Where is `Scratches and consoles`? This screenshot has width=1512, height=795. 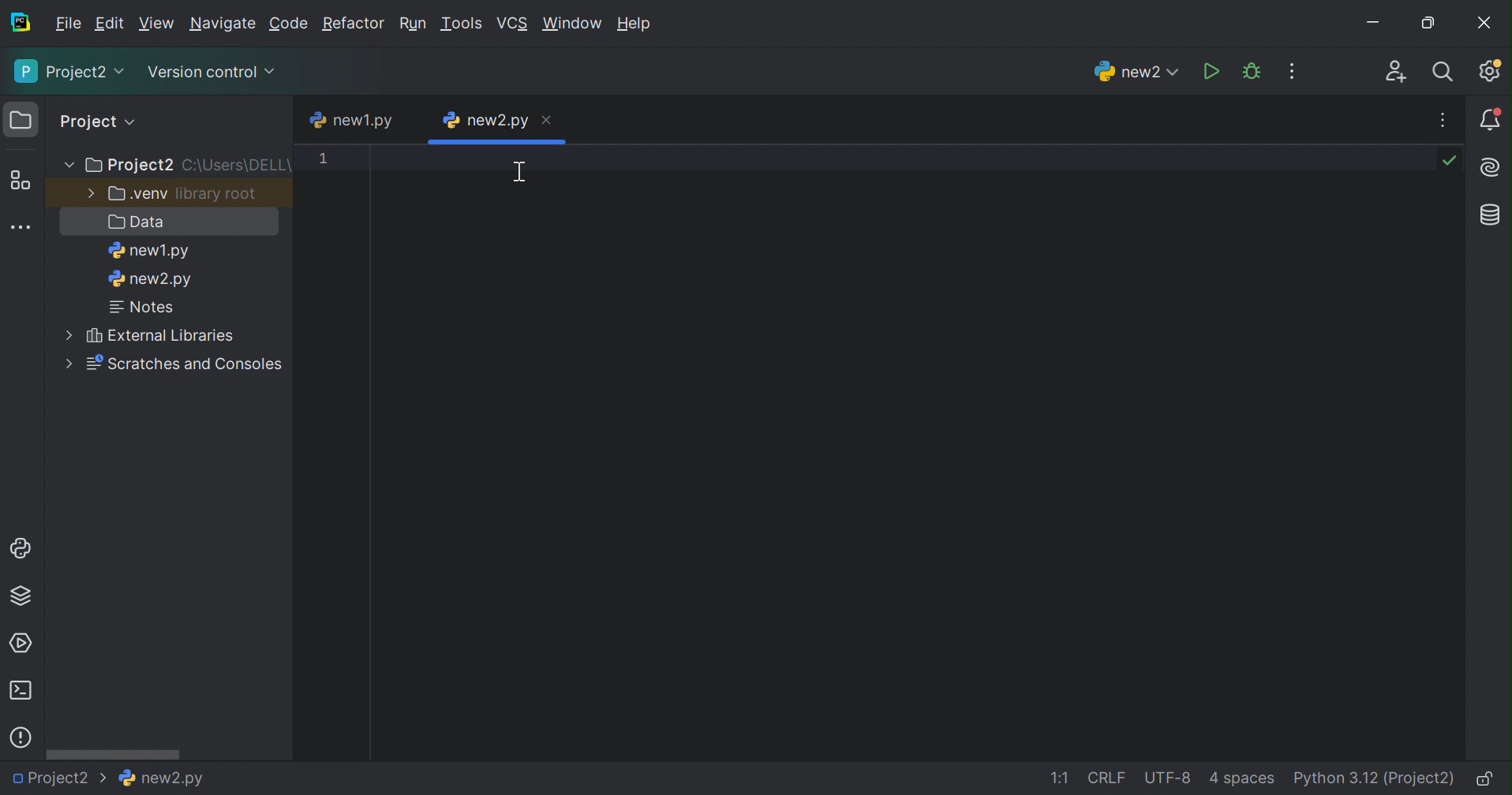
Scratches and consoles is located at coordinates (178, 364).